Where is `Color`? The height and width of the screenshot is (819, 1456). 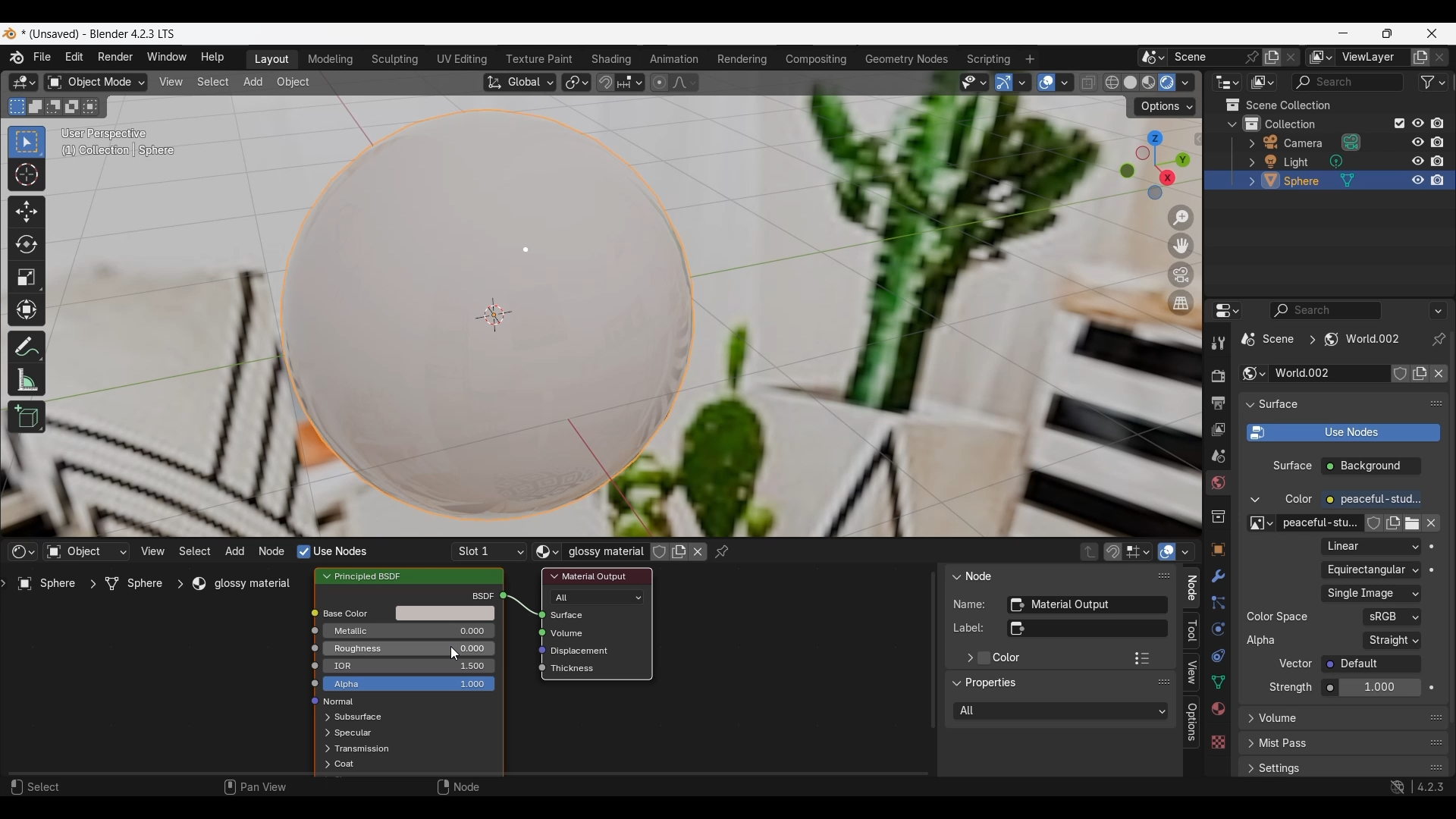
Color is located at coordinates (1007, 658).